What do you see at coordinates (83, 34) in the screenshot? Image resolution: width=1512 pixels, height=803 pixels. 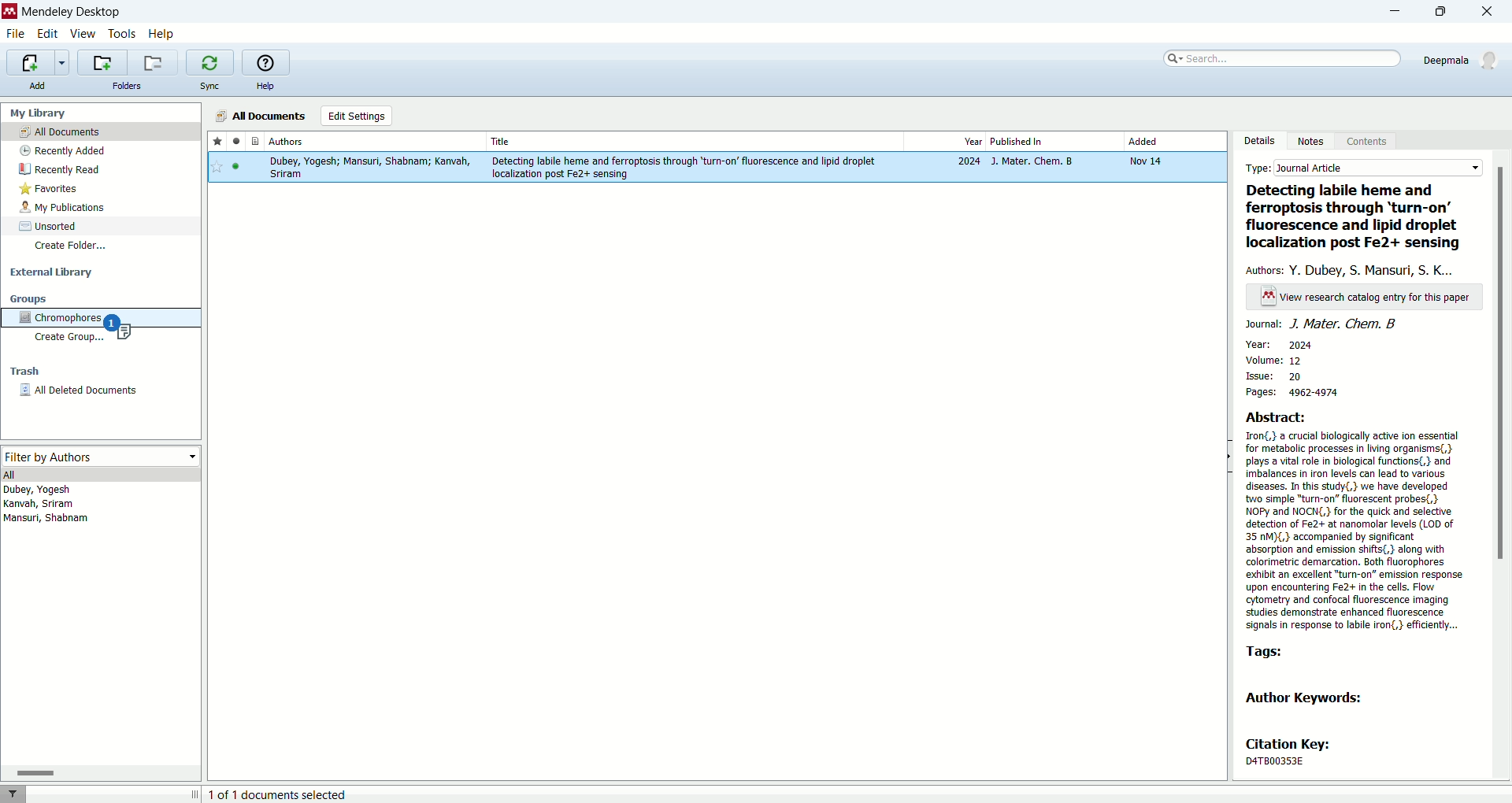 I see `view` at bounding box center [83, 34].